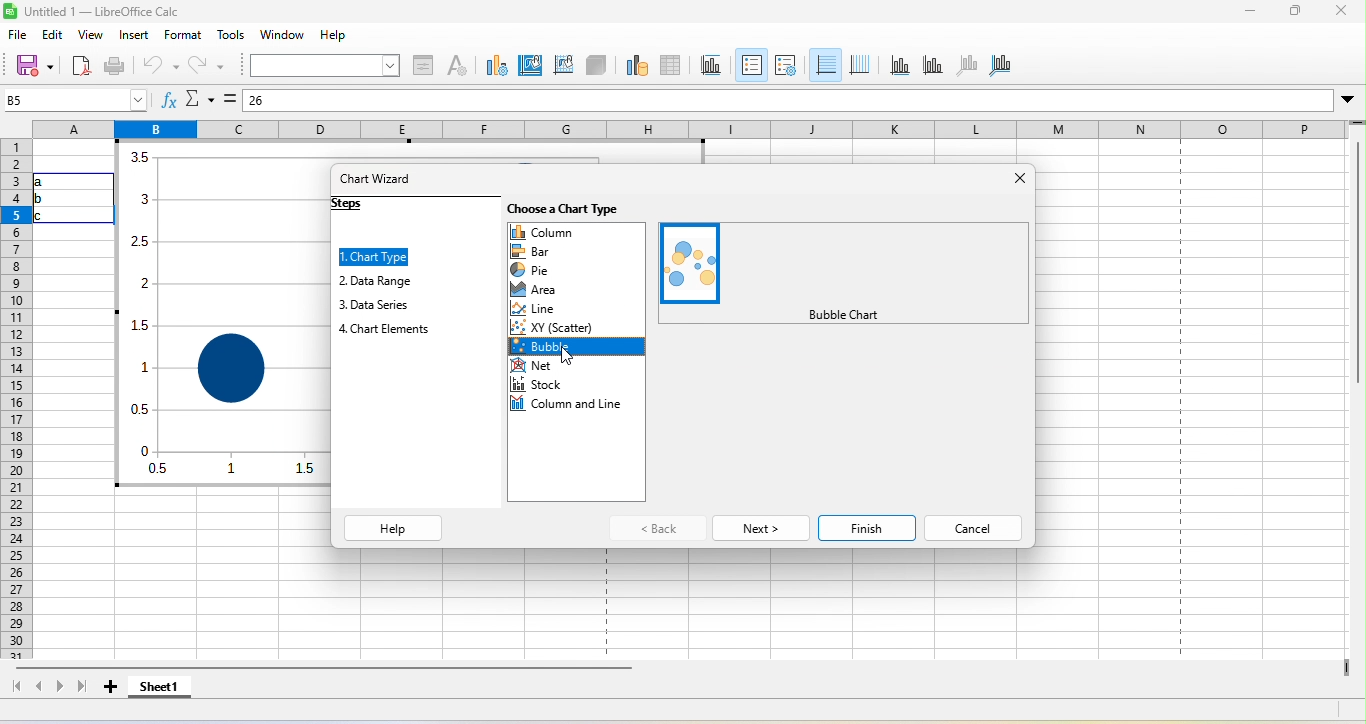  I want to click on redo, so click(205, 65).